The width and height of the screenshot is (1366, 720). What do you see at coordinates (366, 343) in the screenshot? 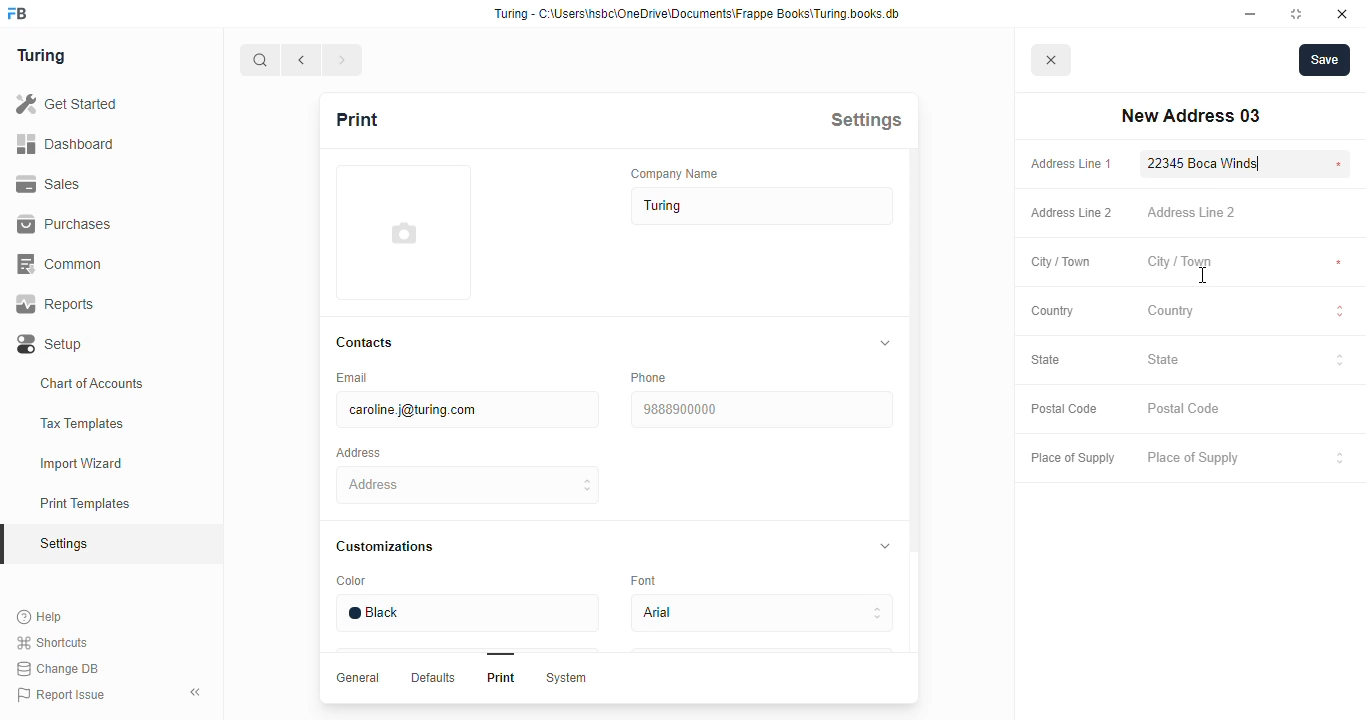
I see `contacts` at bounding box center [366, 343].